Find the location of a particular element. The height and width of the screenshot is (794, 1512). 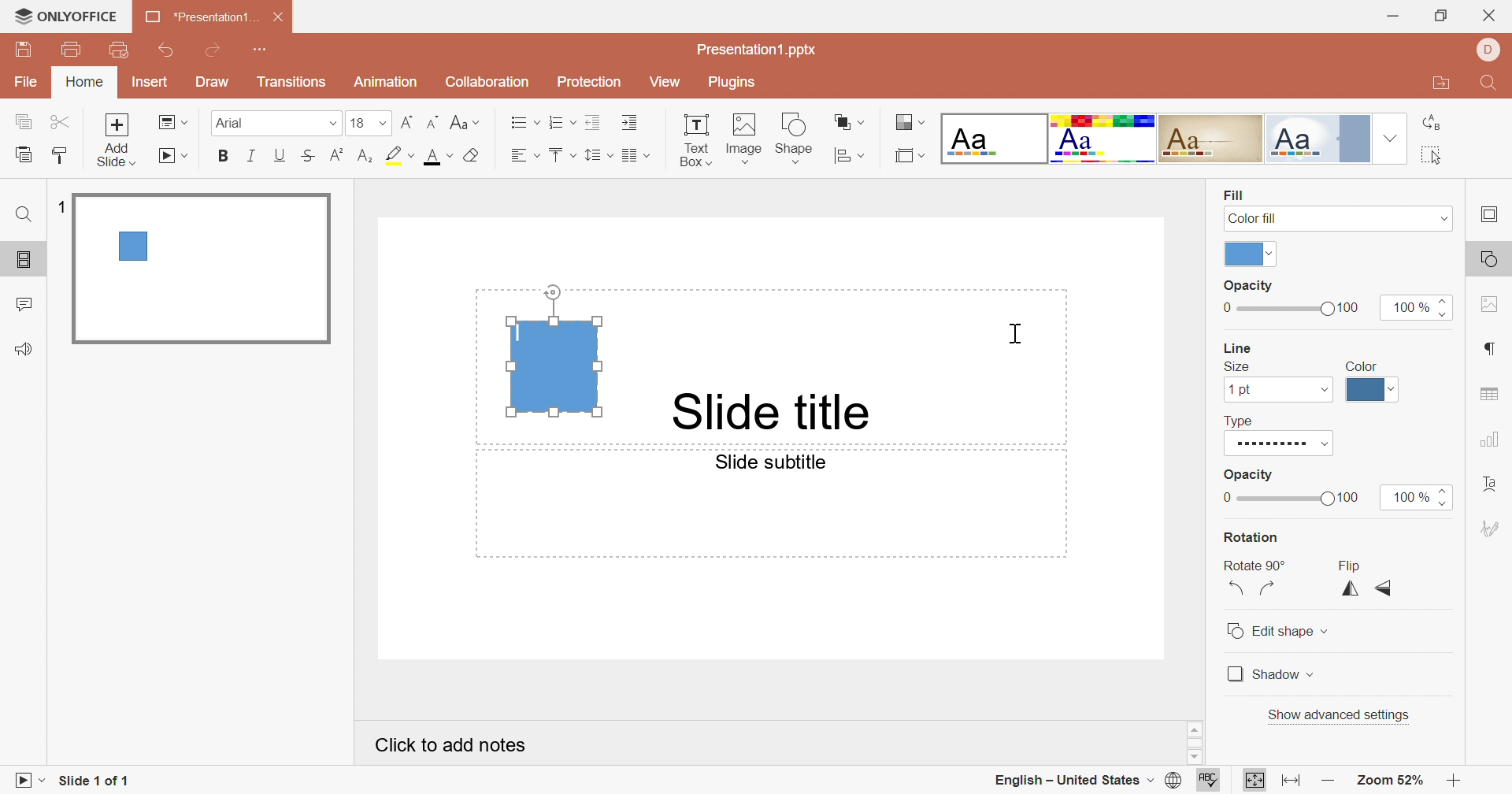

13 is located at coordinates (368, 123).